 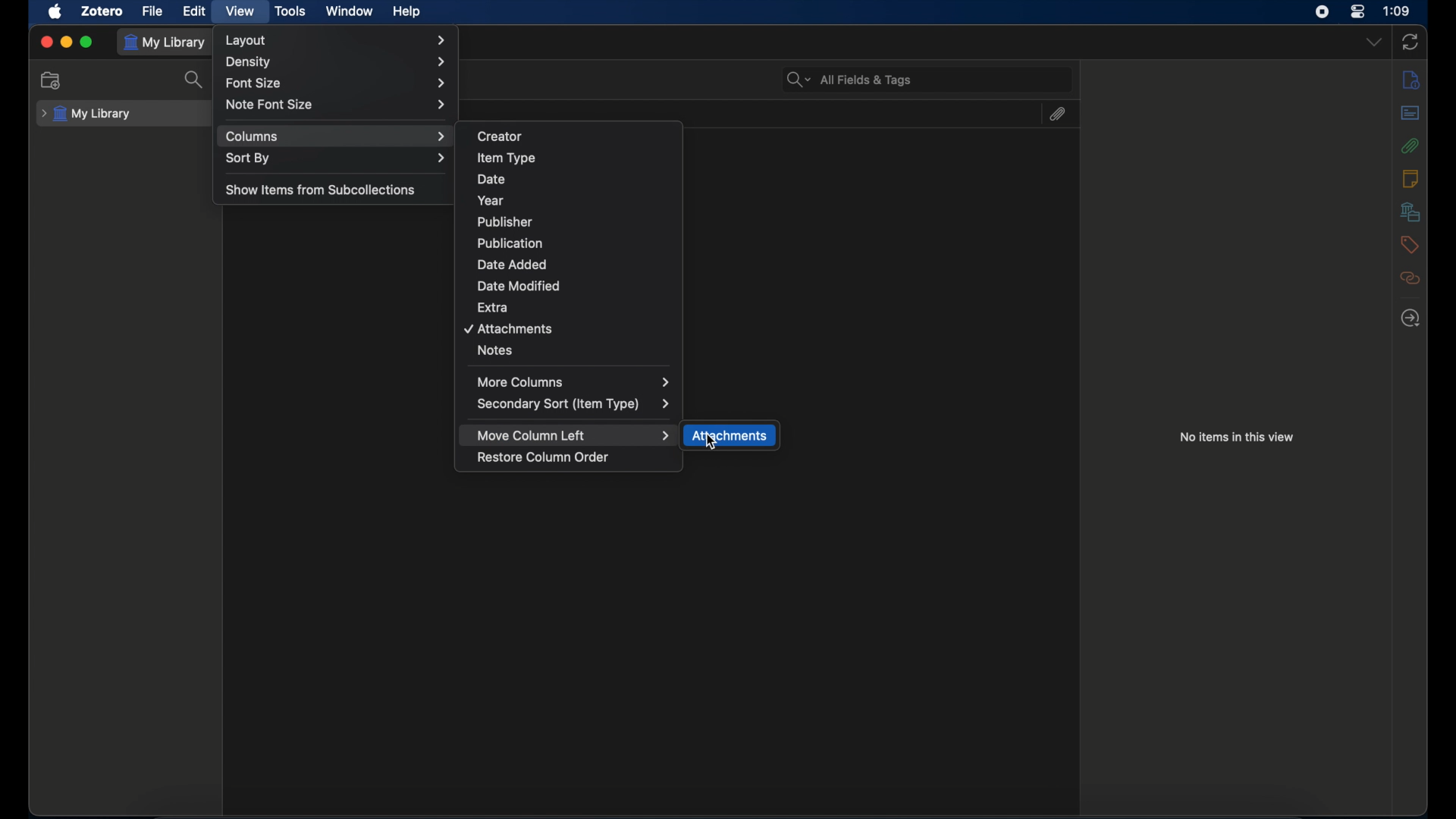 What do you see at coordinates (544, 458) in the screenshot?
I see `restore column order` at bounding box center [544, 458].